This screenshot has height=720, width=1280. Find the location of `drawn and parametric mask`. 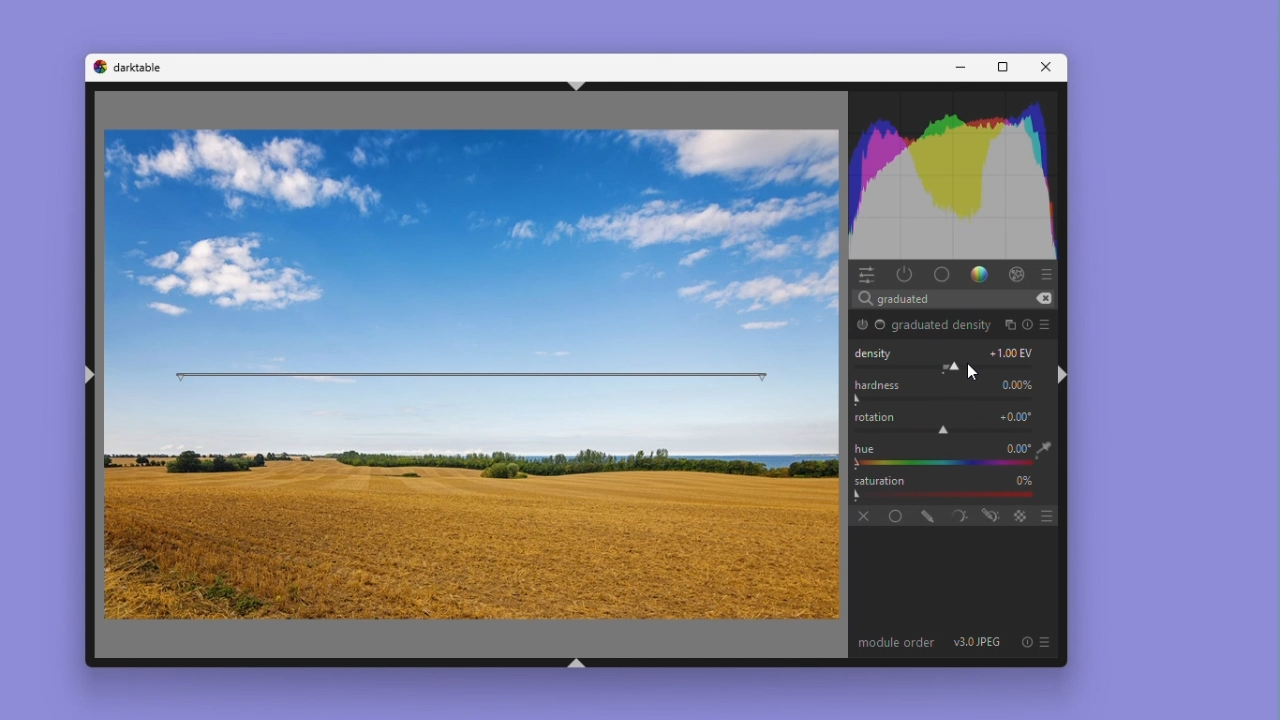

drawn and parametric mask is located at coordinates (988, 515).